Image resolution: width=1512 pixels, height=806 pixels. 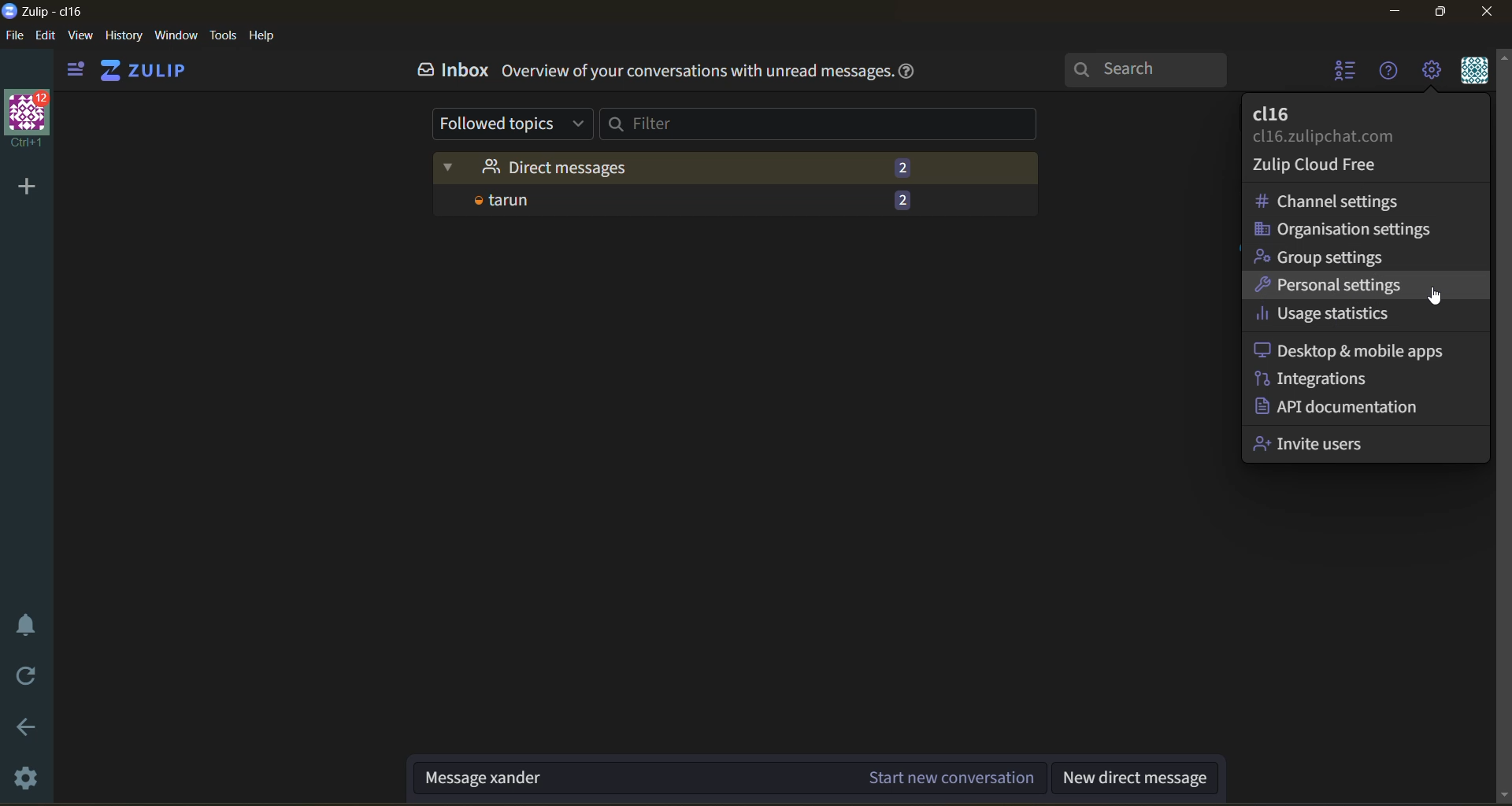 What do you see at coordinates (1385, 72) in the screenshot?
I see `help menu` at bounding box center [1385, 72].